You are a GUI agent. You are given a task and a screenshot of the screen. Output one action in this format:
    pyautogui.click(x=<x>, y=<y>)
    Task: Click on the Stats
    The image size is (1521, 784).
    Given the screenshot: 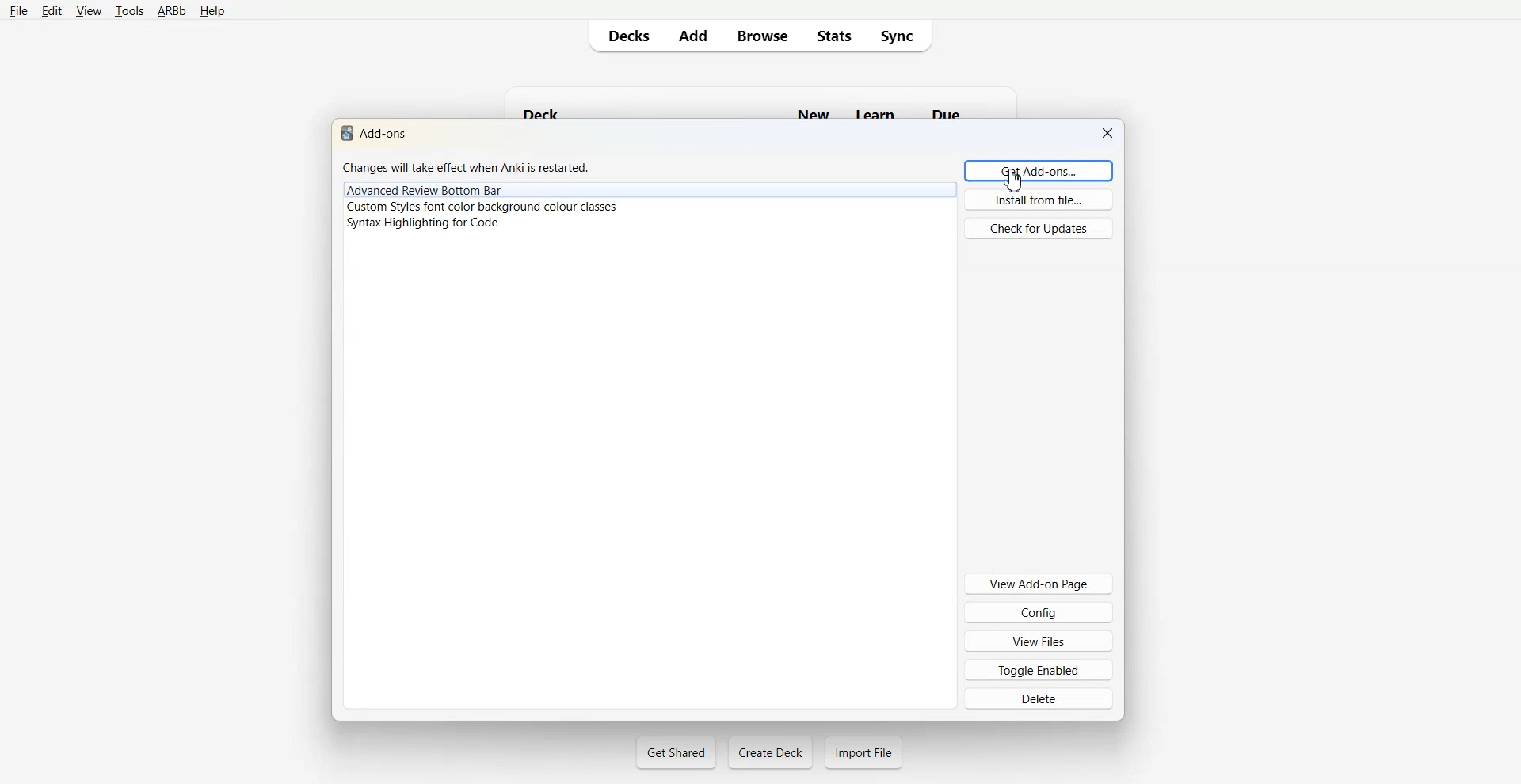 What is the action you would take?
    pyautogui.click(x=833, y=36)
    